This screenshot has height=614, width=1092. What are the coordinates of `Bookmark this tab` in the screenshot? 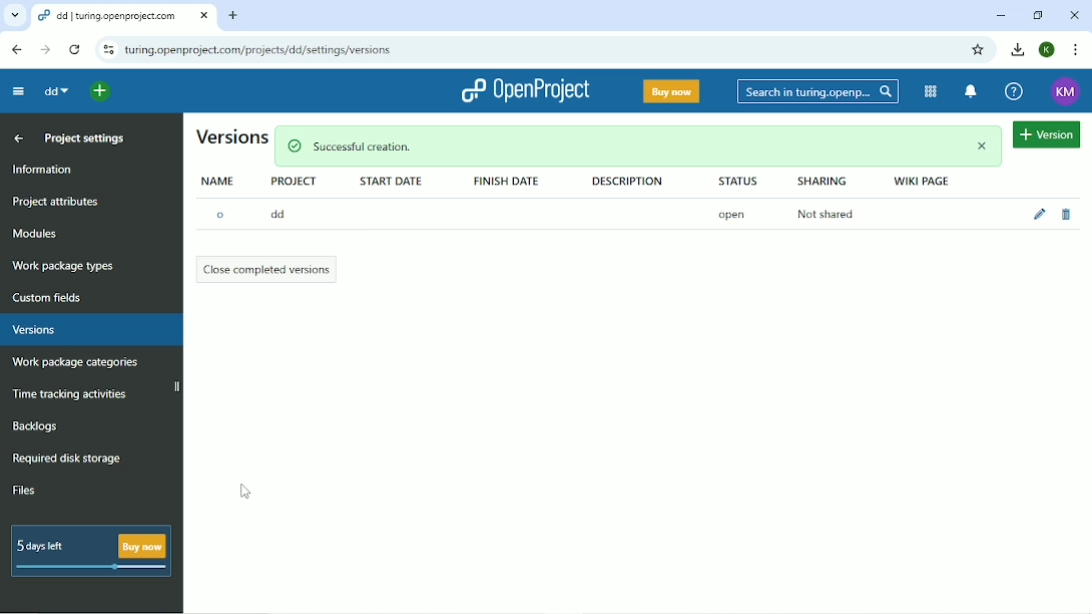 It's located at (977, 50).